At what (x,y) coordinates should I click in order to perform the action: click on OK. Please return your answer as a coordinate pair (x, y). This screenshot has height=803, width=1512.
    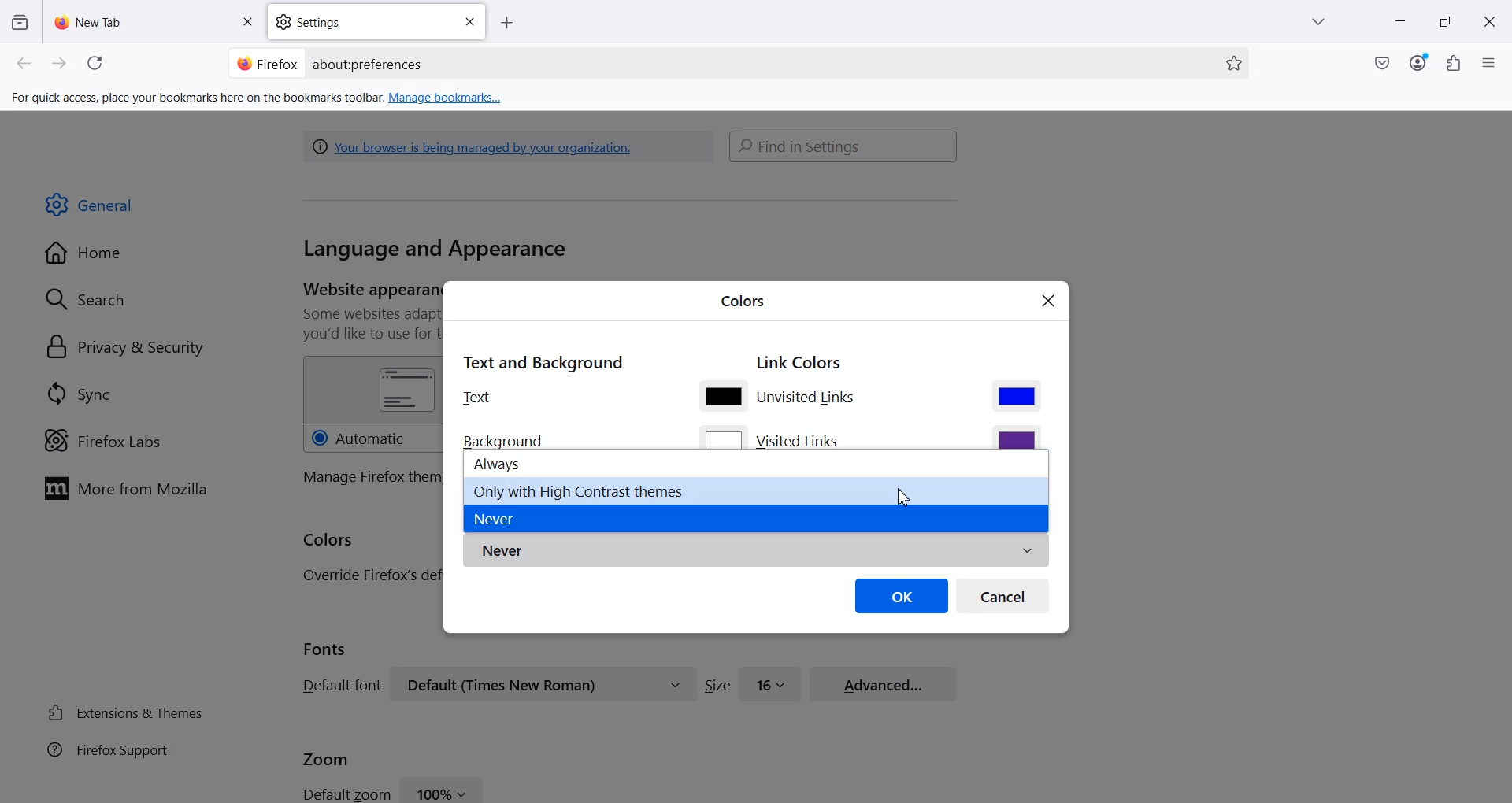
    Looking at the image, I should click on (902, 595).